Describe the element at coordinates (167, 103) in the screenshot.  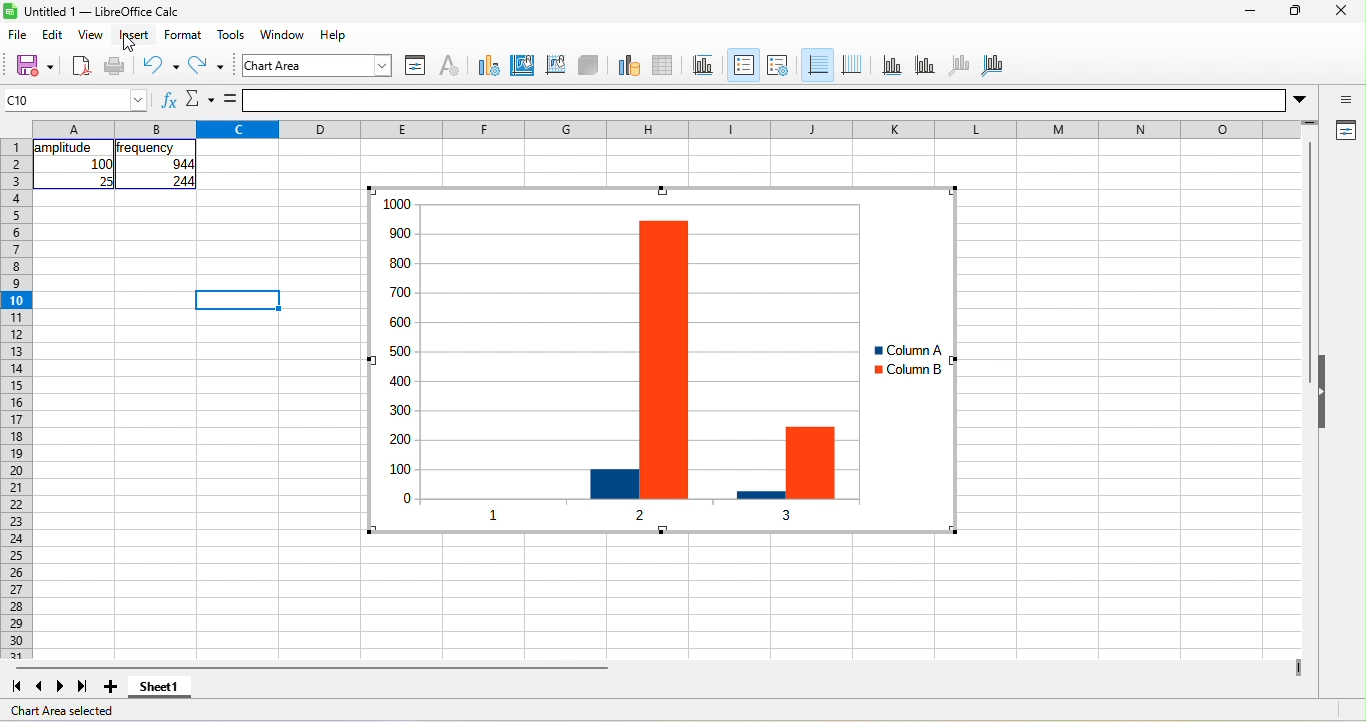
I see `function wizard` at that location.